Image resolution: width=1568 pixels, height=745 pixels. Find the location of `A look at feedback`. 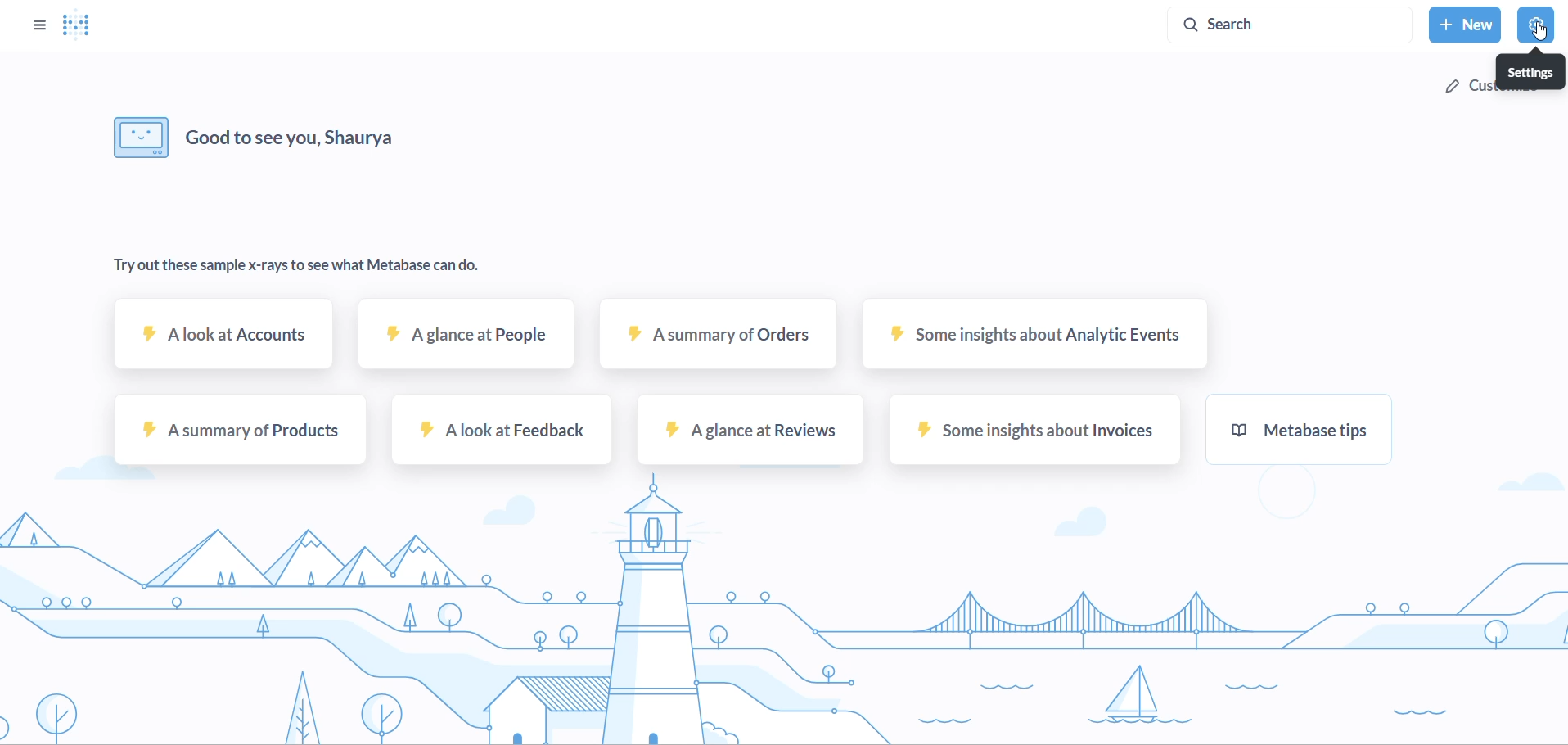

A look at feedback is located at coordinates (500, 435).